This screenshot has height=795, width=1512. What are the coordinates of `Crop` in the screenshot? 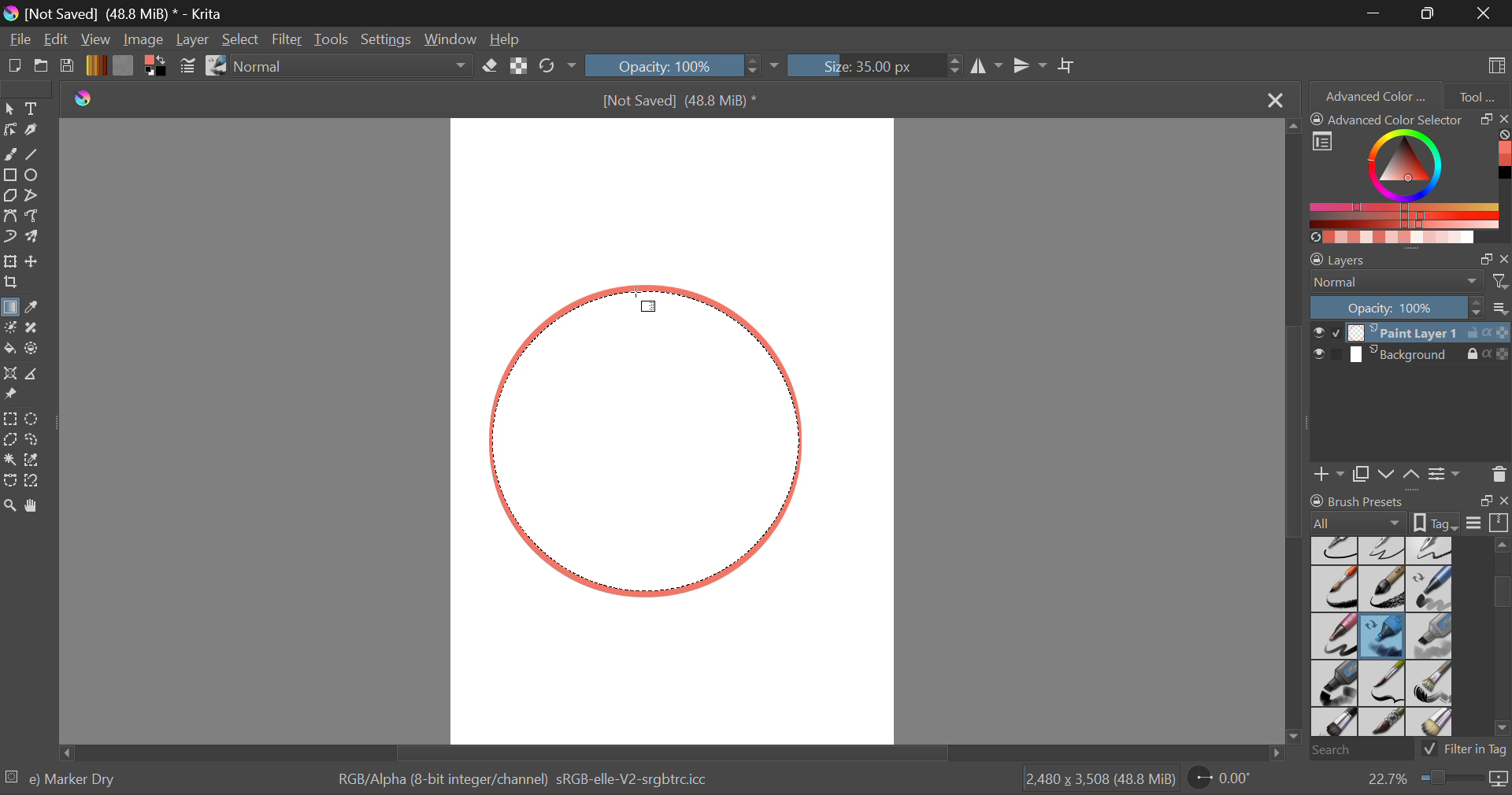 It's located at (1069, 66).